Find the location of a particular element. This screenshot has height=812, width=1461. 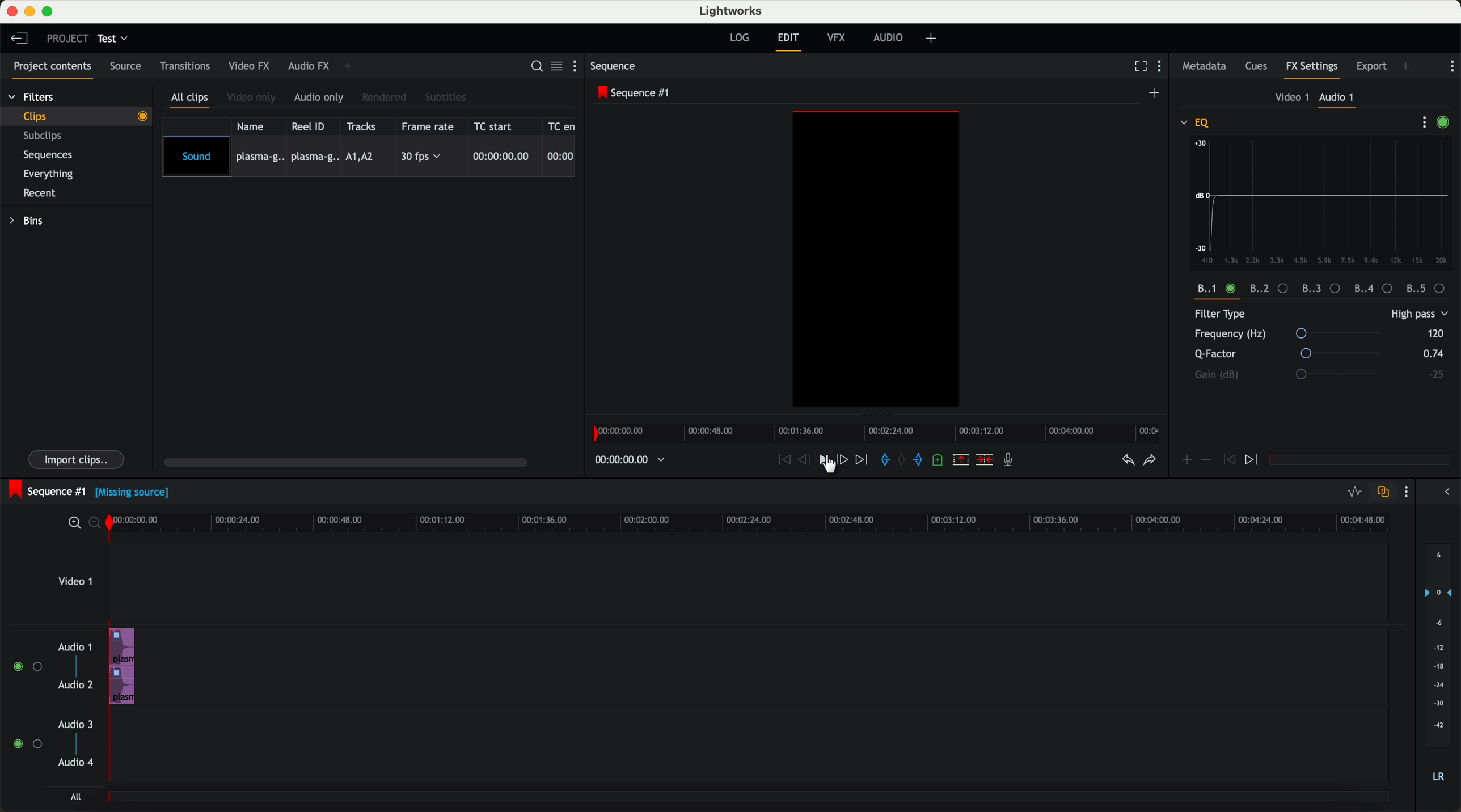

frequency (Hz) is located at coordinates (1293, 335).